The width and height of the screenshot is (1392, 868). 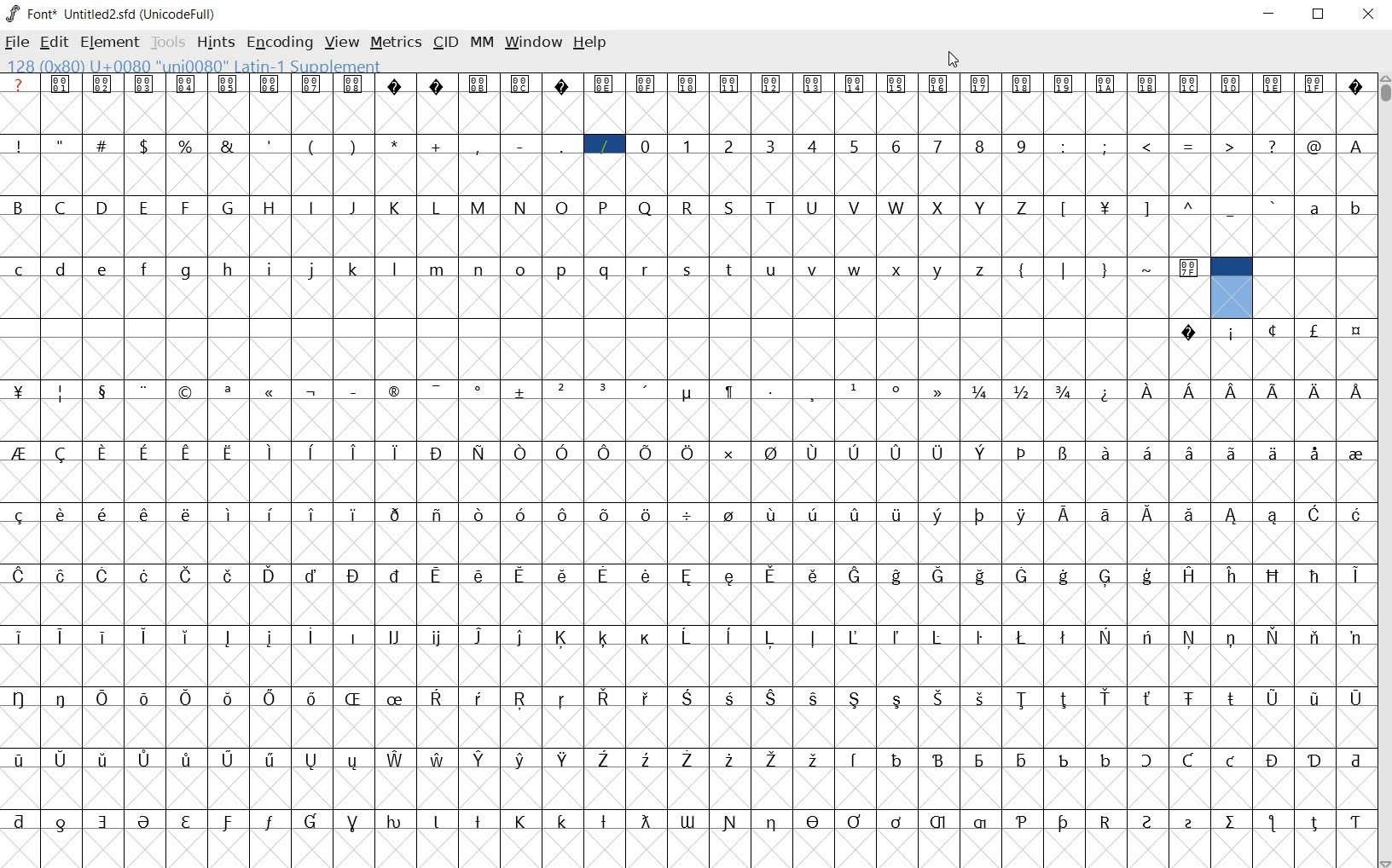 What do you see at coordinates (815, 758) in the screenshot?
I see `Symbol` at bounding box center [815, 758].